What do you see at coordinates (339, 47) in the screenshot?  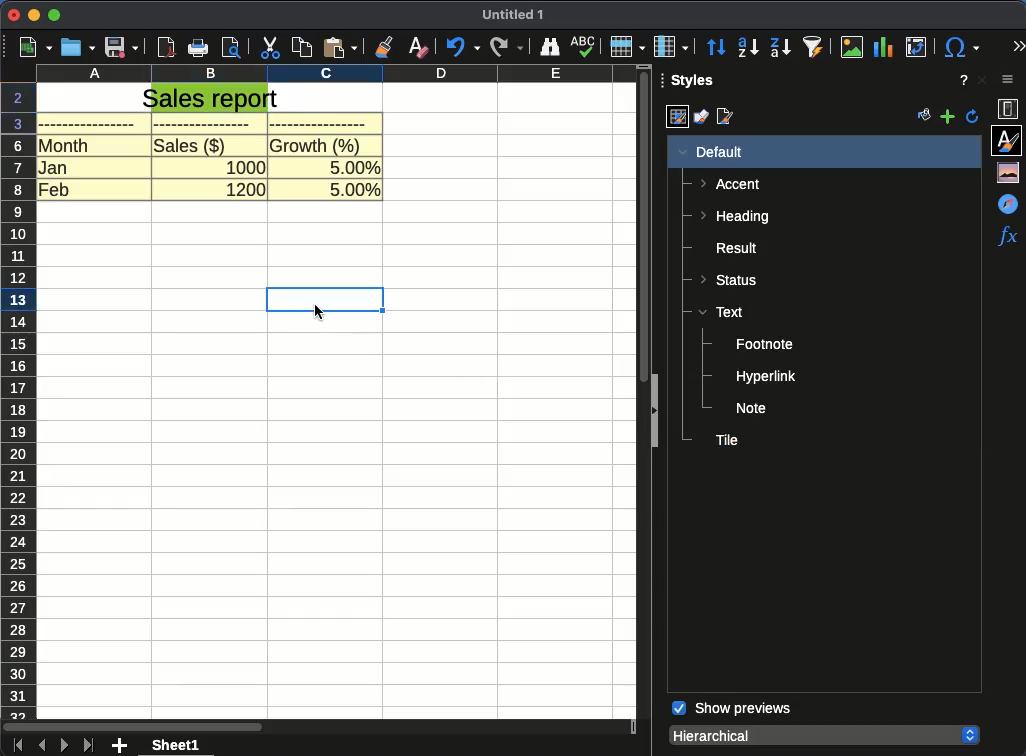 I see `paste` at bounding box center [339, 47].